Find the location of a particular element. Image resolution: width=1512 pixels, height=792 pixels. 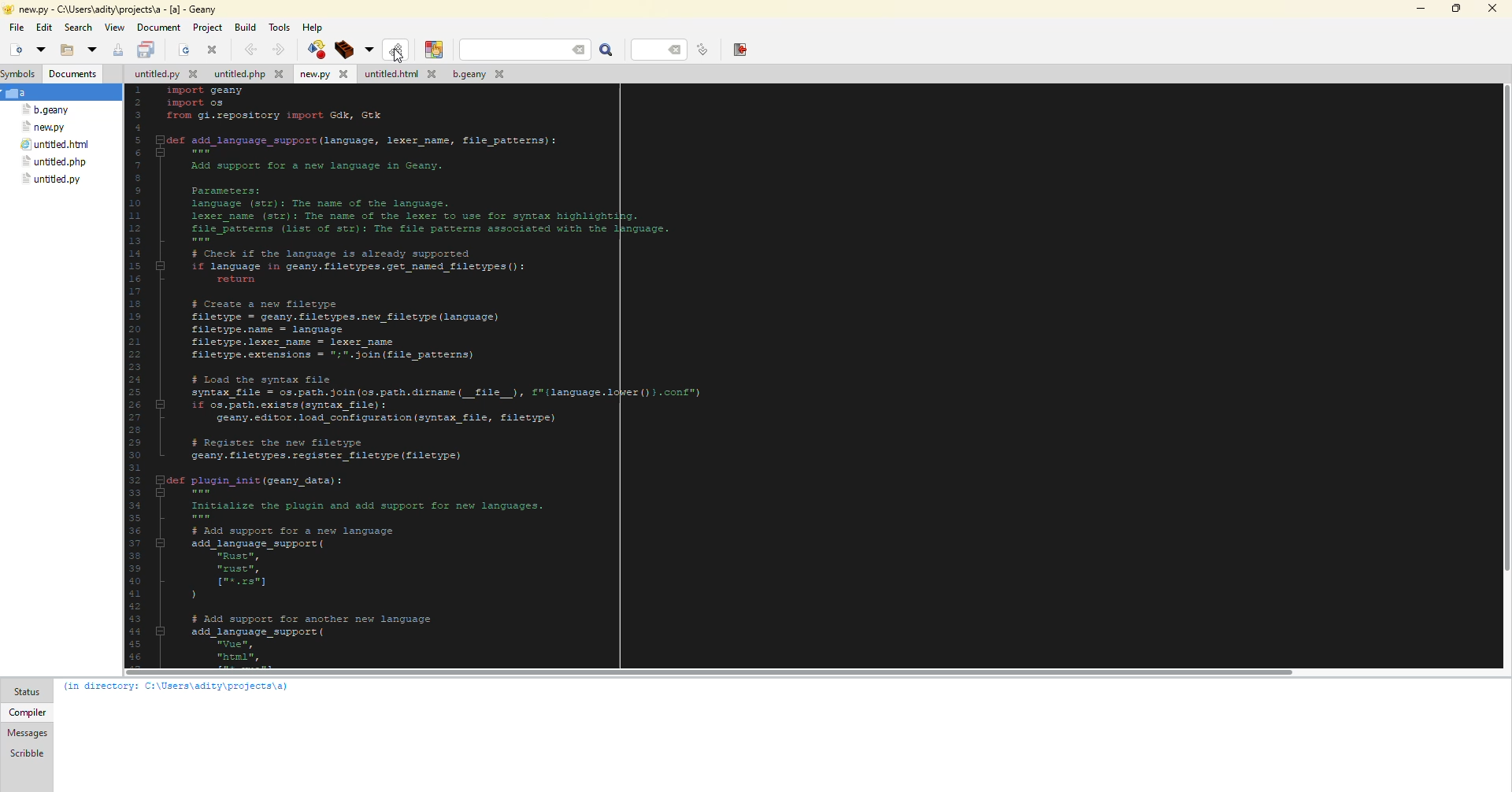

file is located at coordinates (59, 144).